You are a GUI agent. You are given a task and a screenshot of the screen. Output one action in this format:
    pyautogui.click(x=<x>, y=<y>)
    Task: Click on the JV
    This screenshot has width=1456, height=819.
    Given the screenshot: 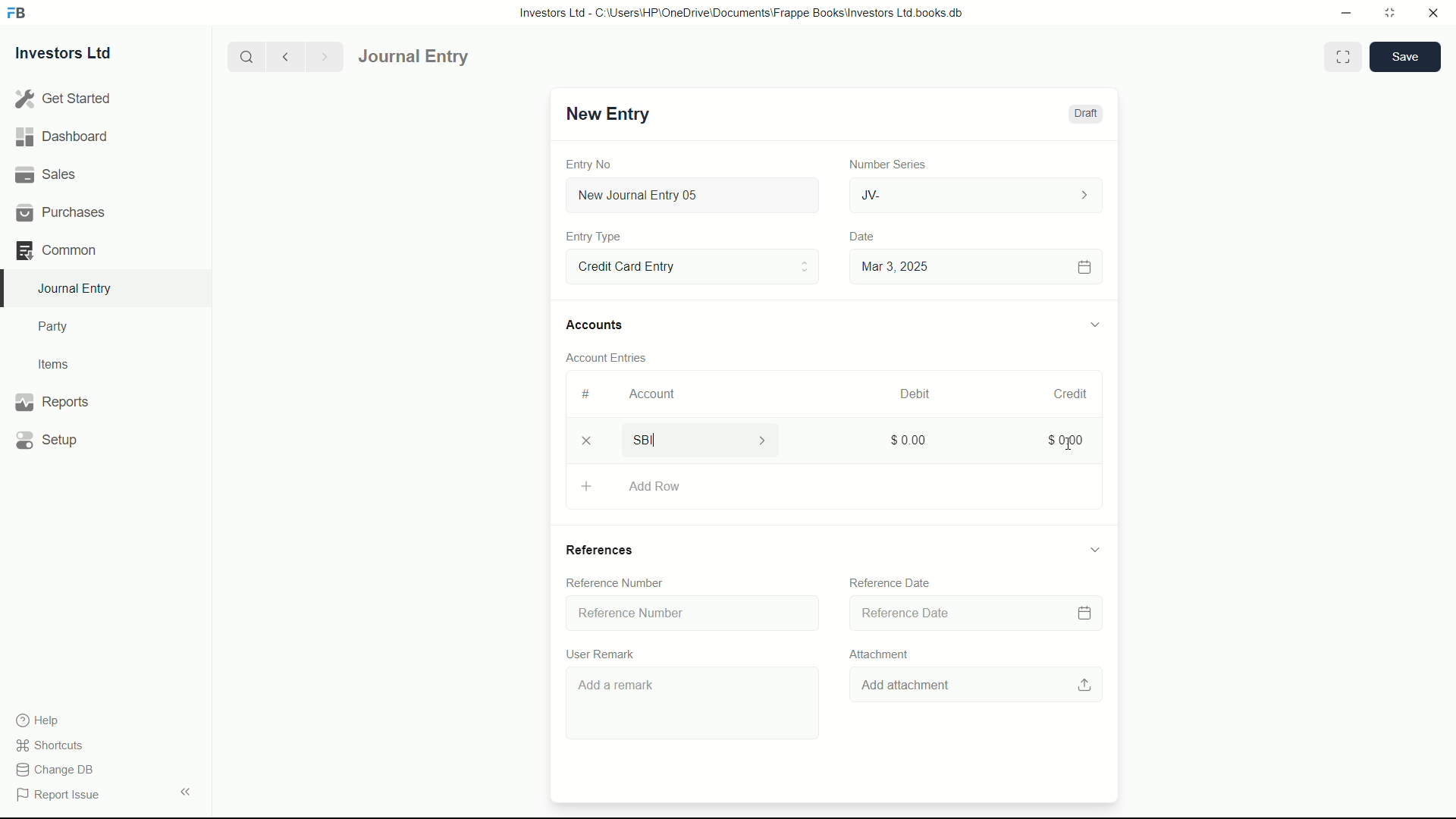 What is the action you would take?
    pyautogui.click(x=978, y=193)
    